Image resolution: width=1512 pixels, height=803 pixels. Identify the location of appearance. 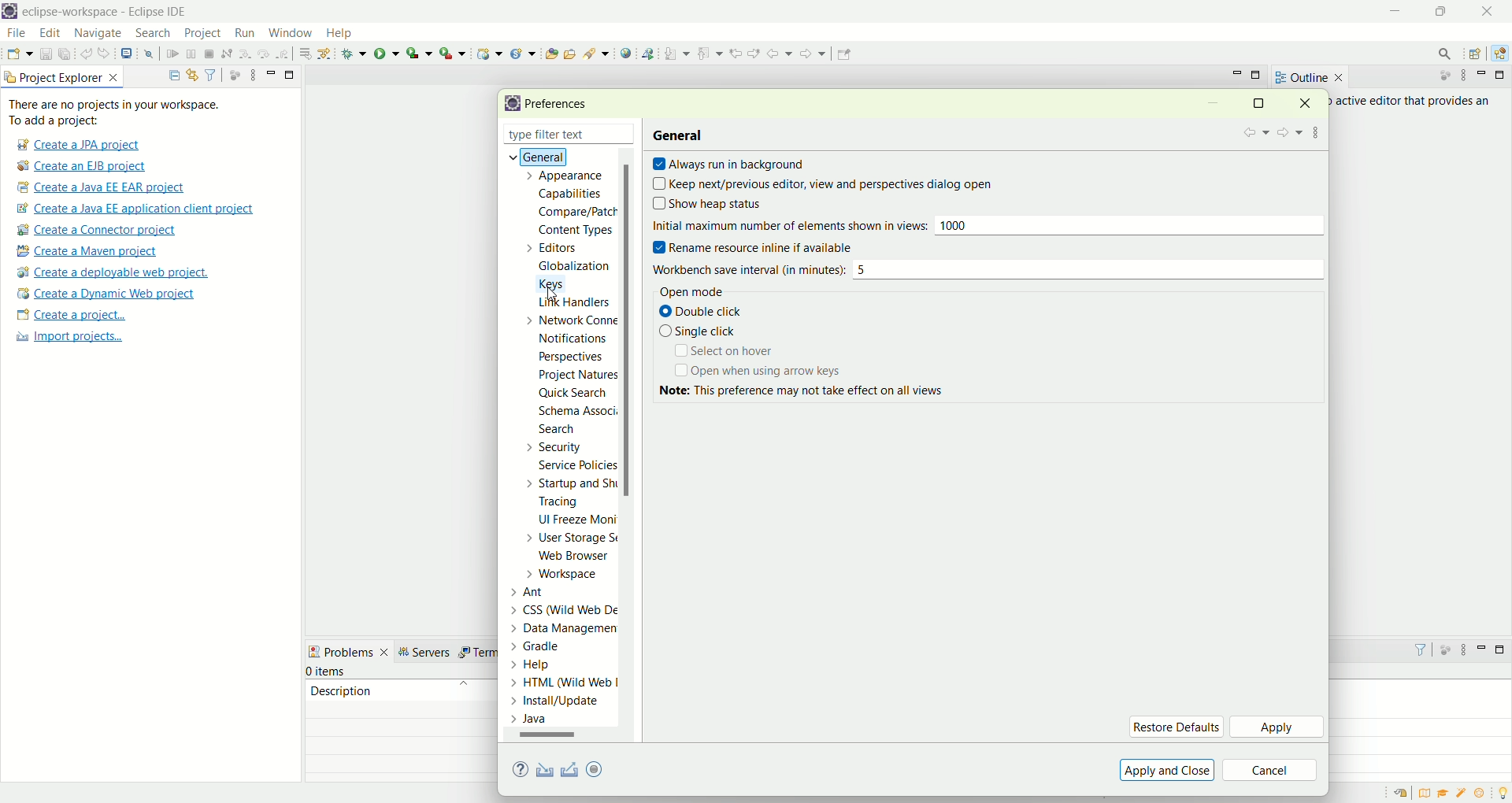
(569, 177).